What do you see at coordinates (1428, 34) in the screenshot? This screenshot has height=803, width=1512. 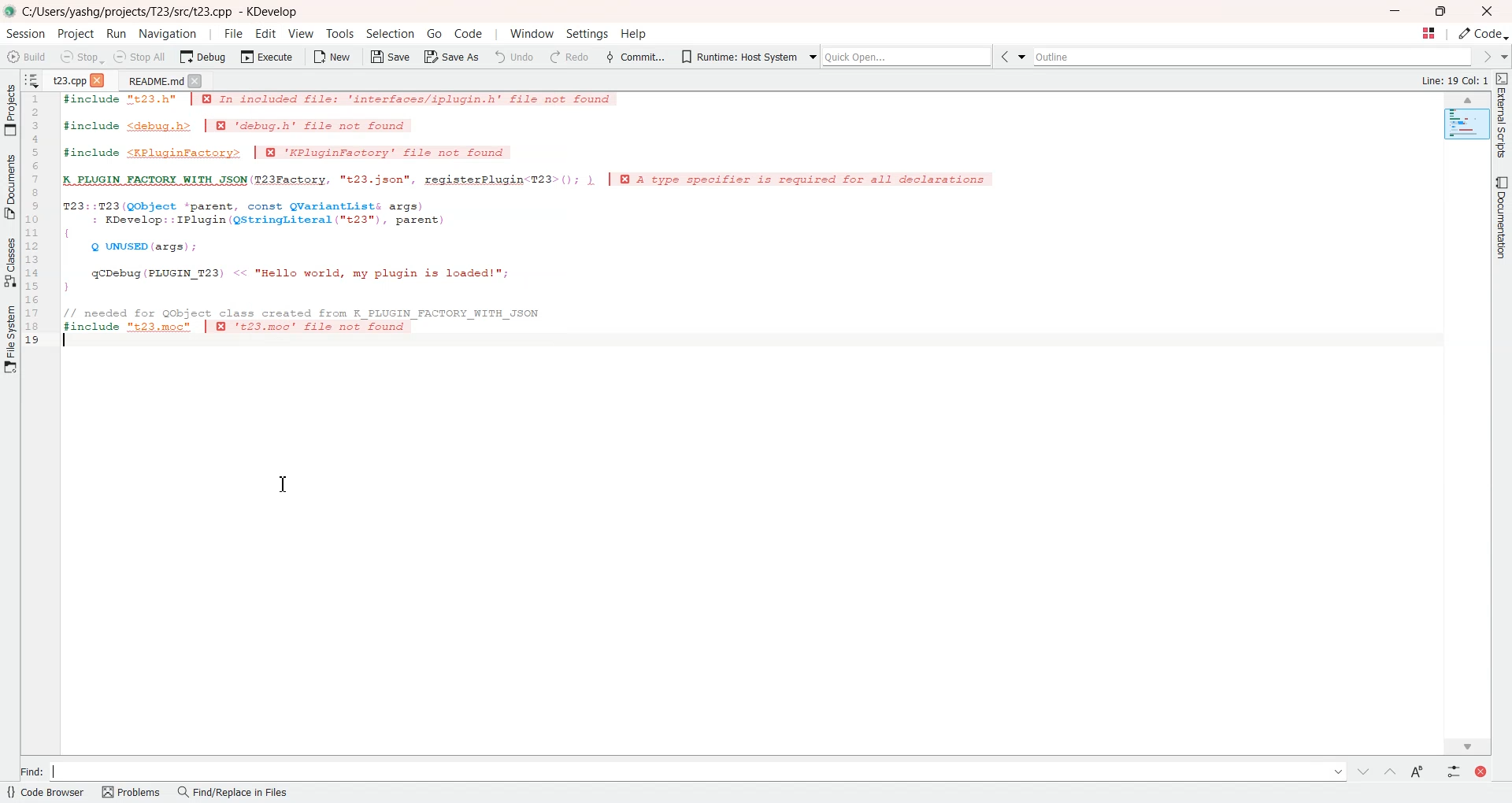 I see `Quick Open` at bounding box center [1428, 34].